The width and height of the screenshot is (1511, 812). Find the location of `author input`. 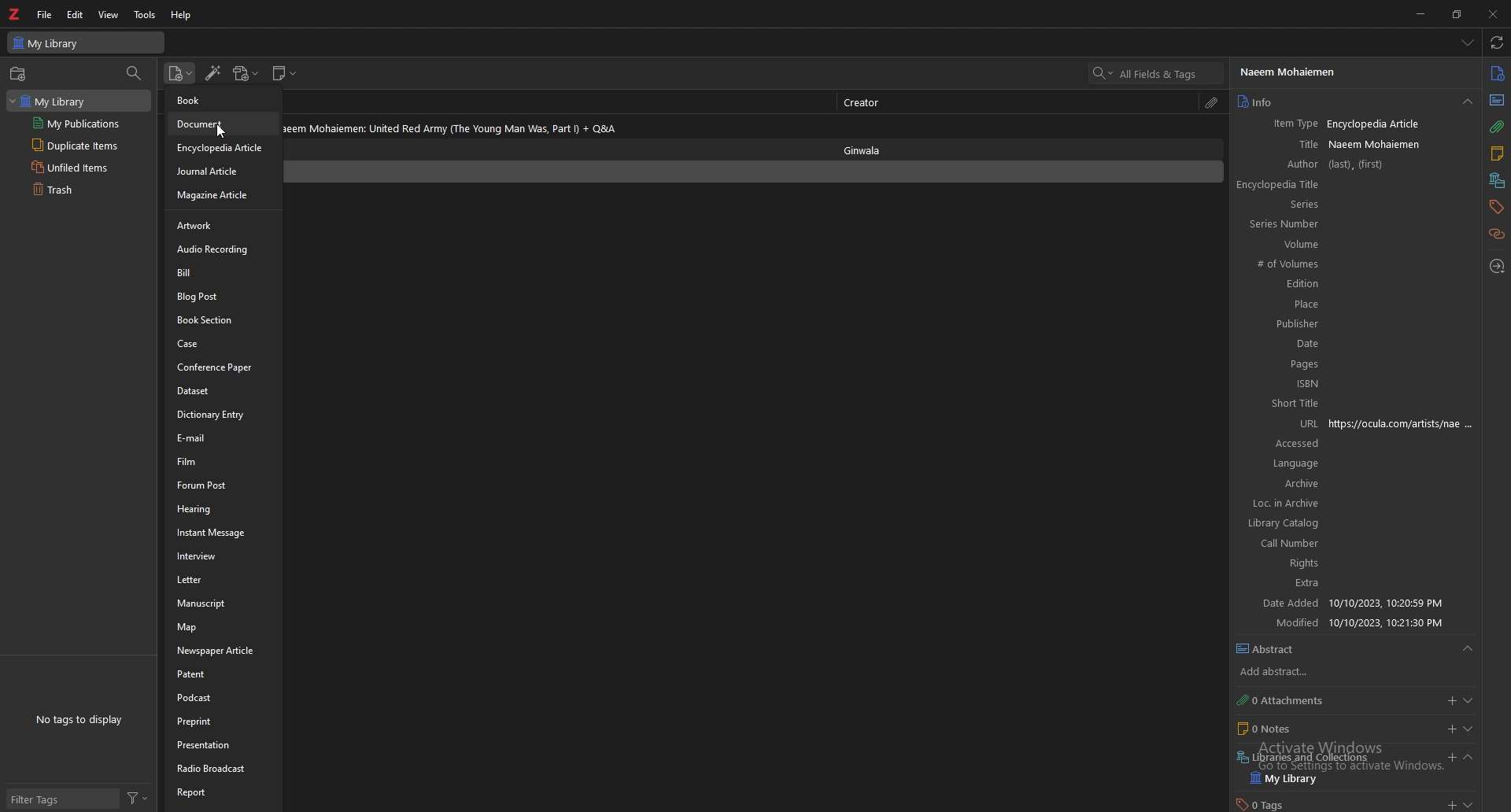

author input is located at coordinates (1402, 165).